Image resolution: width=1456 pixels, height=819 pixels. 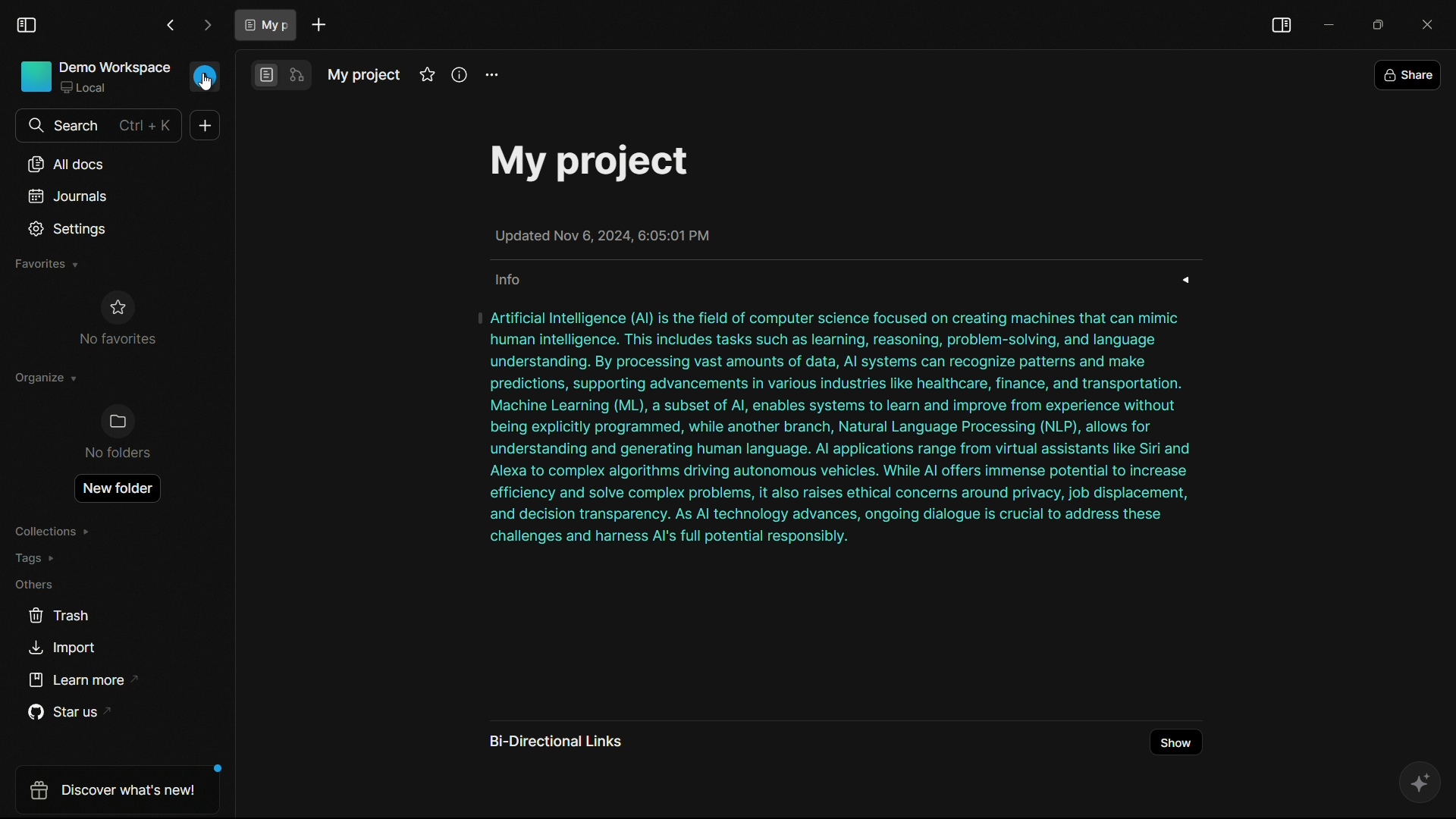 What do you see at coordinates (267, 76) in the screenshot?
I see `page mode` at bounding box center [267, 76].